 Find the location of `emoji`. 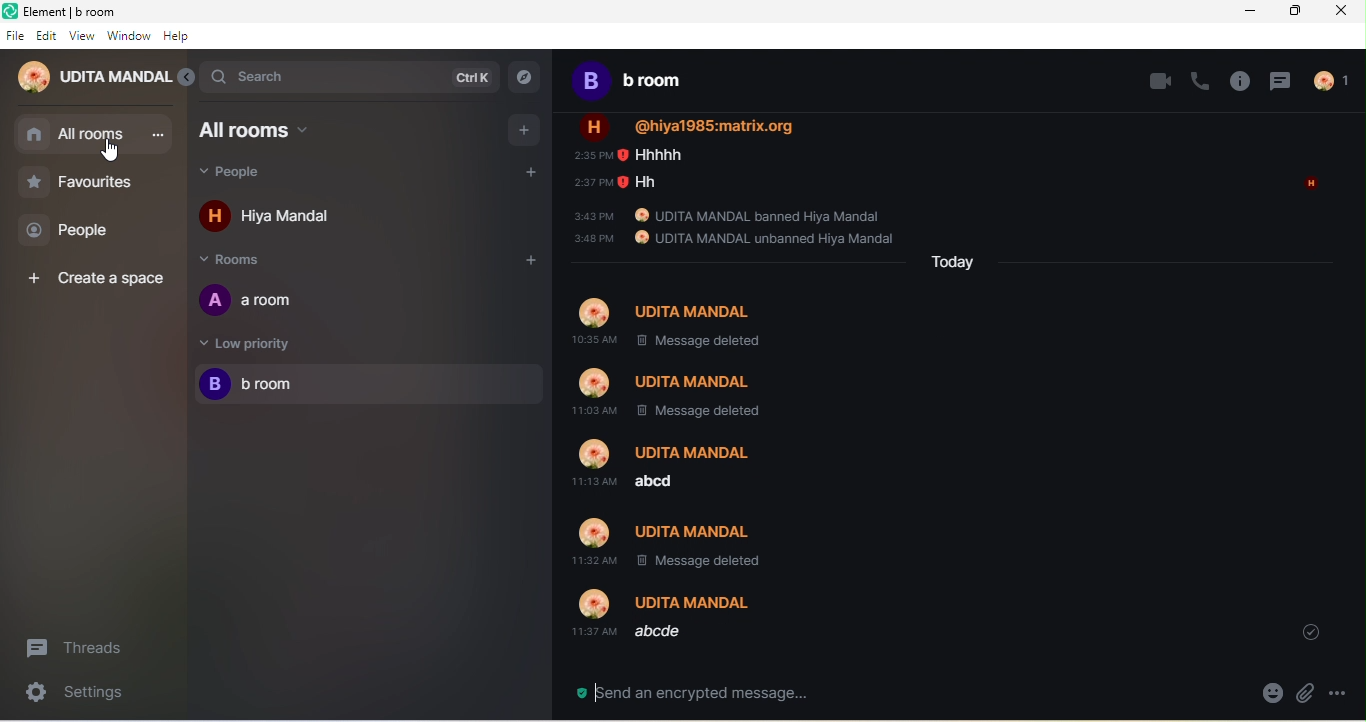

emoji is located at coordinates (1270, 694).